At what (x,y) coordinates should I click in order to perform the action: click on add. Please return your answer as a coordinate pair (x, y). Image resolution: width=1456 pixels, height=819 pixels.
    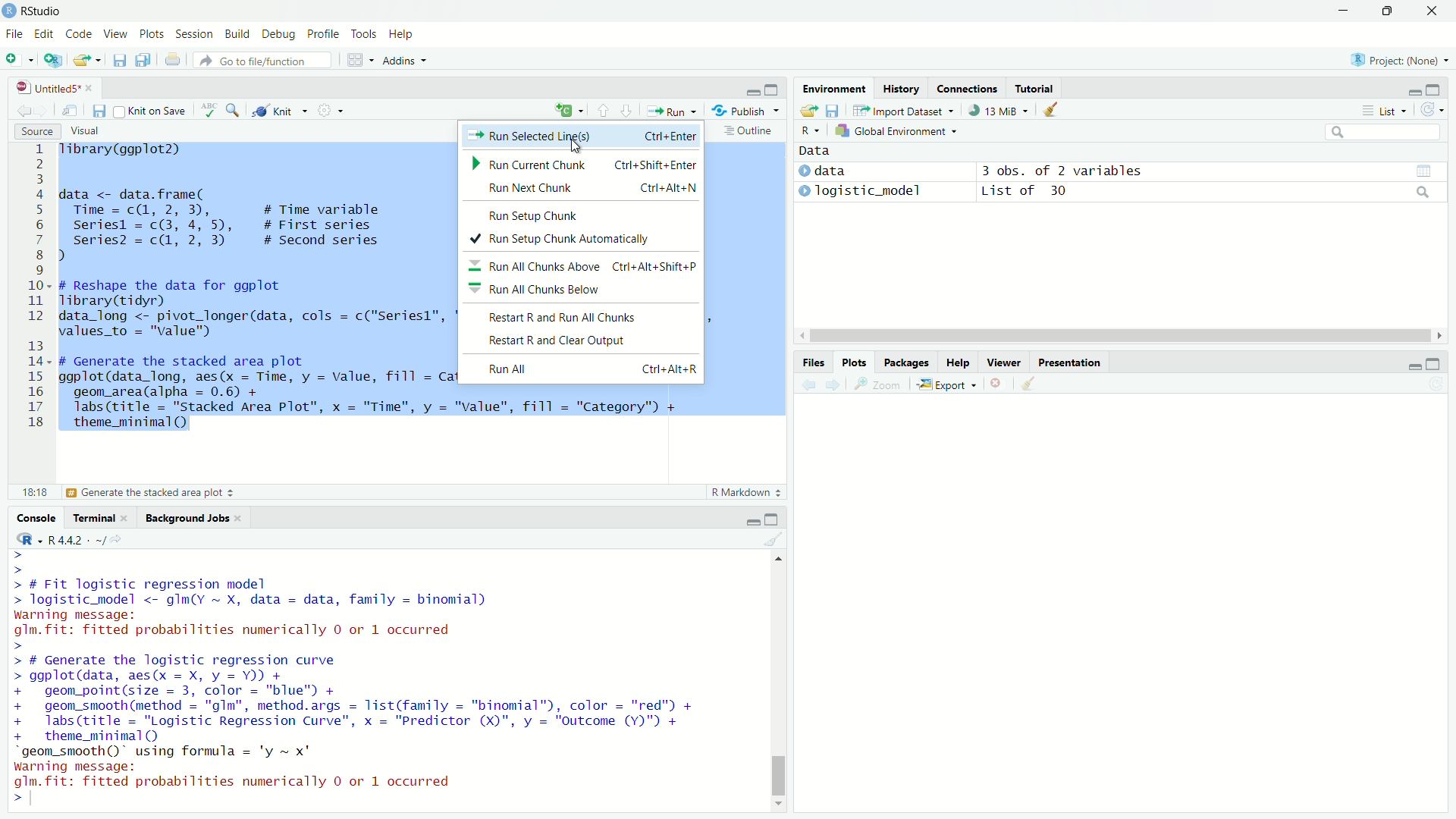
    Looking at the image, I should click on (18, 59).